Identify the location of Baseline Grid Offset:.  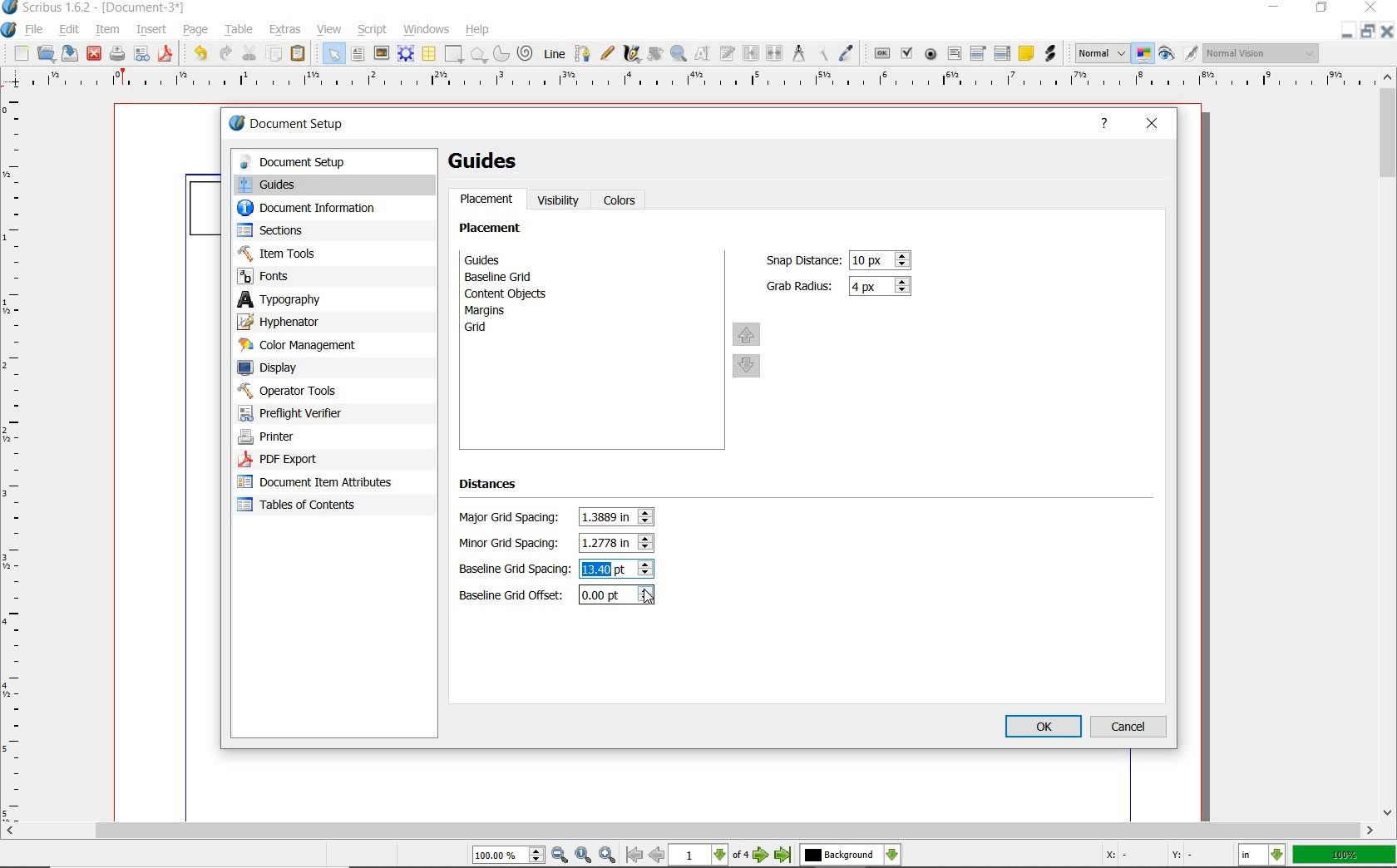
(513, 595).